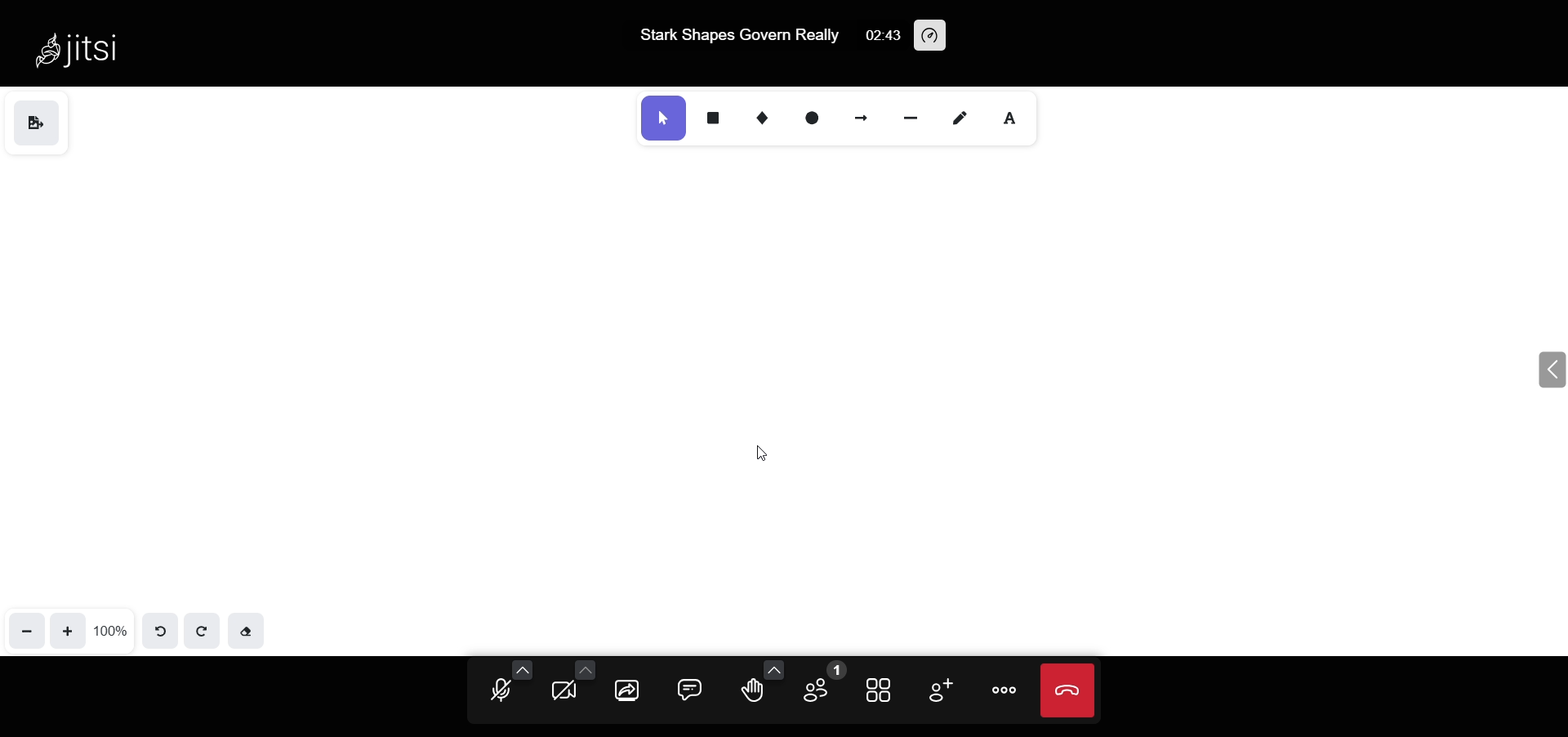 The image size is (1568, 737). I want to click on invite people, so click(936, 689).